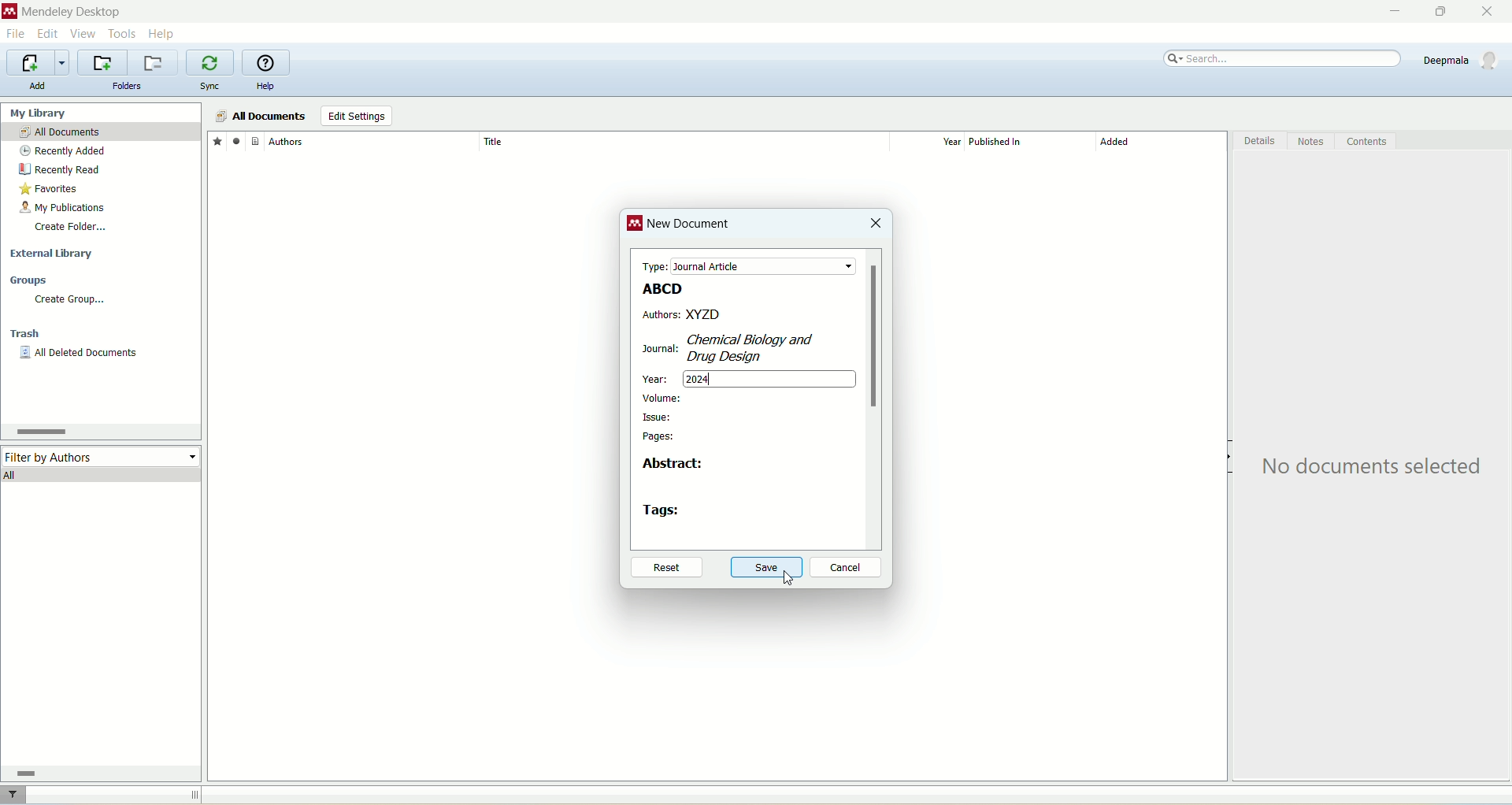  Describe the element at coordinates (932, 142) in the screenshot. I see `year` at that location.